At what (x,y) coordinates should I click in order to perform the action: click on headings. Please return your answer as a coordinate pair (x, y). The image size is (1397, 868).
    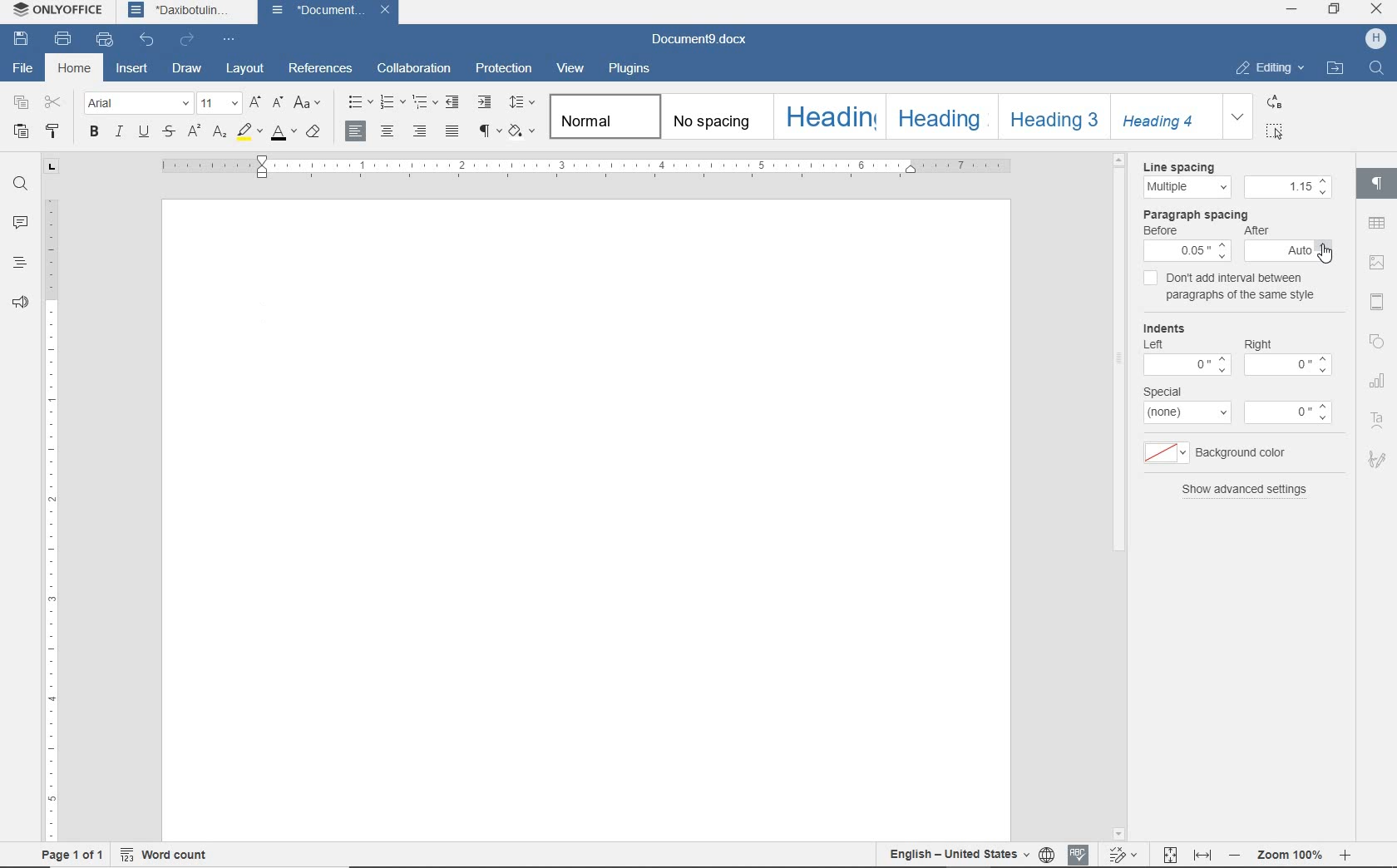
    Looking at the image, I should click on (17, 264).